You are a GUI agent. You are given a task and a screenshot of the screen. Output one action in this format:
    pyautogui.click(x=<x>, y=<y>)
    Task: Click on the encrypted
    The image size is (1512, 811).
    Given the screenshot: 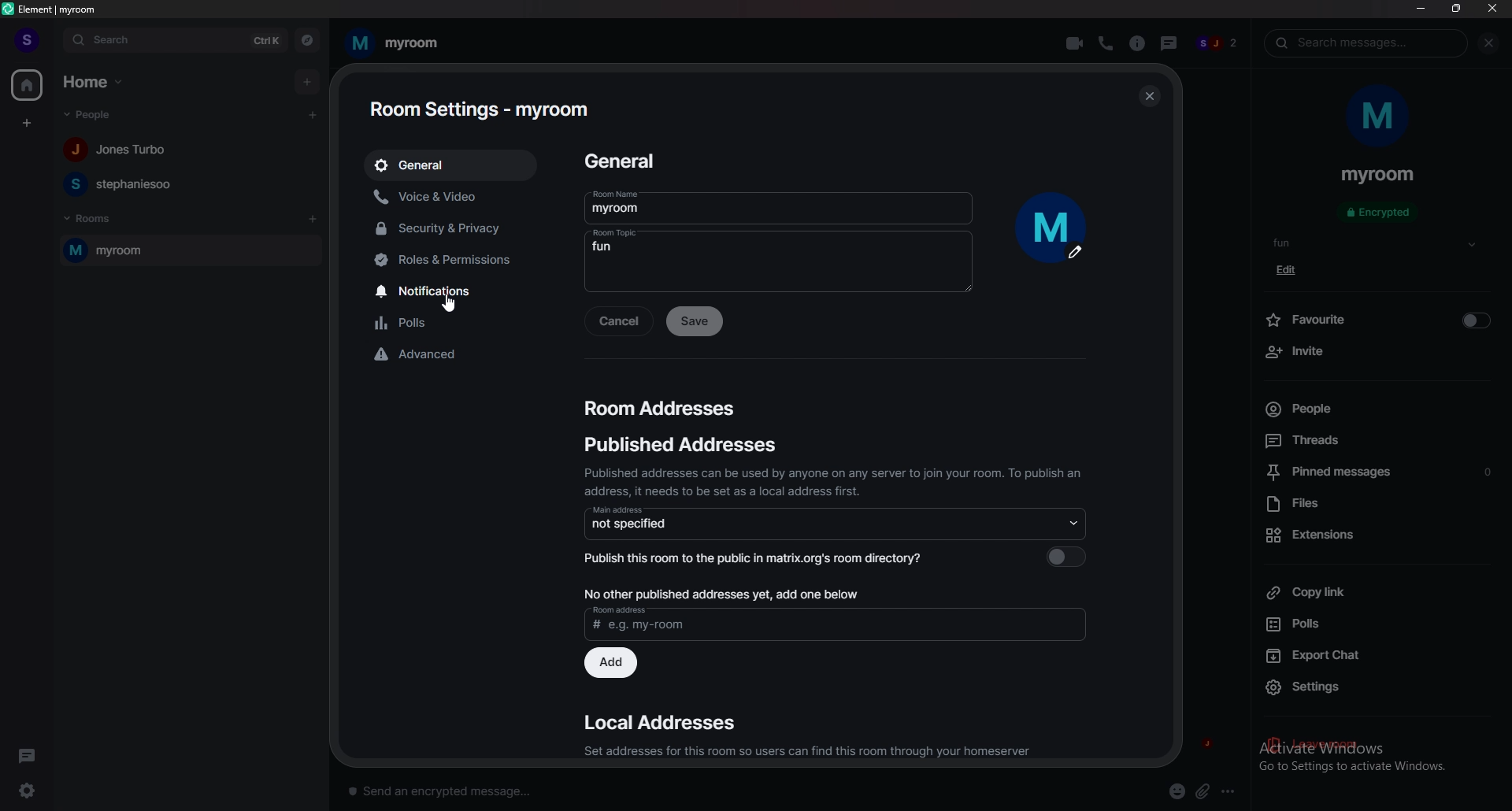 What is the action you would take?
    pyautogui.click(x=1381, y=213)
    